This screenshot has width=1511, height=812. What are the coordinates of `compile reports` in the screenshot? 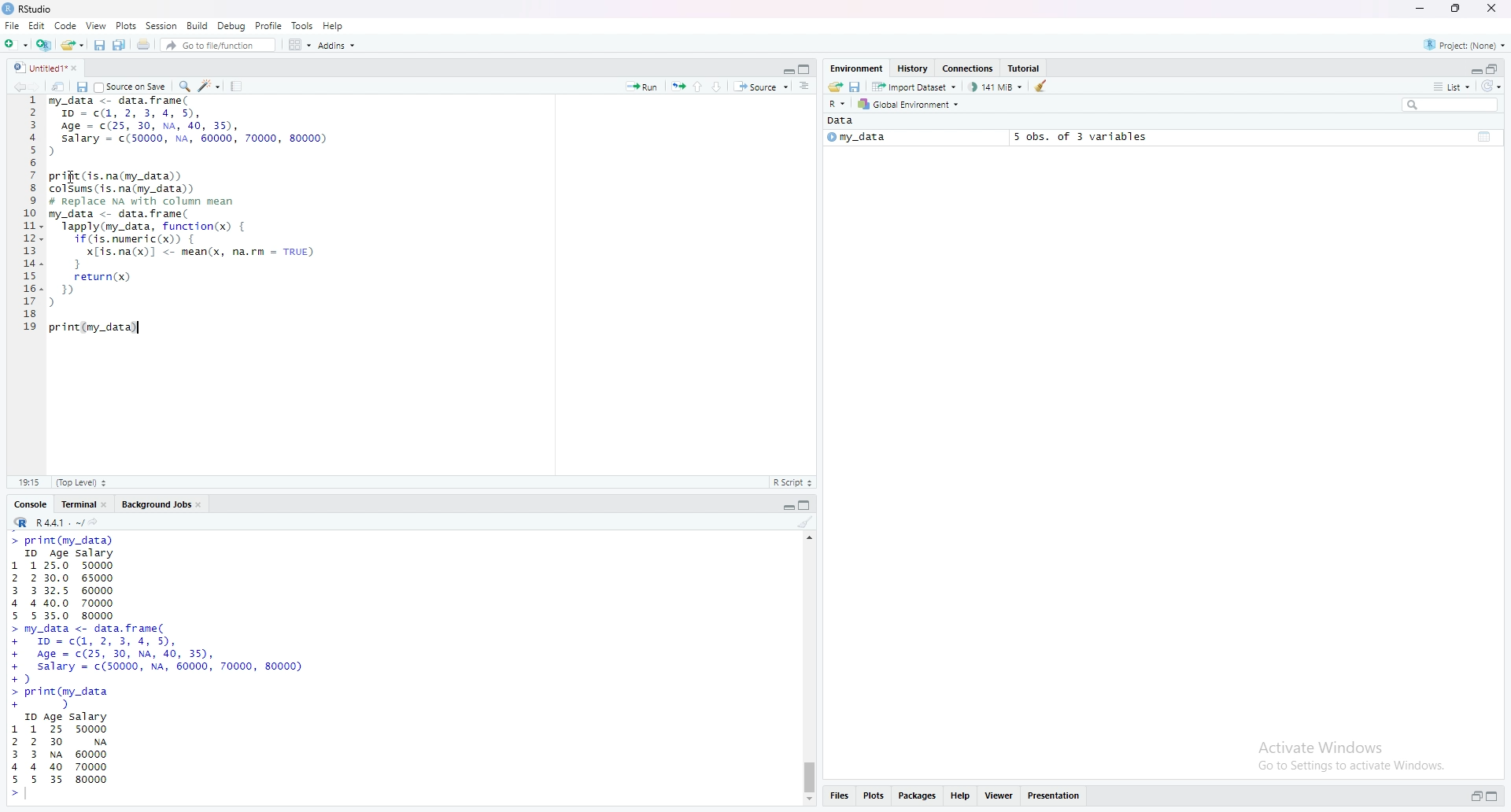 It's located at (238, 86).